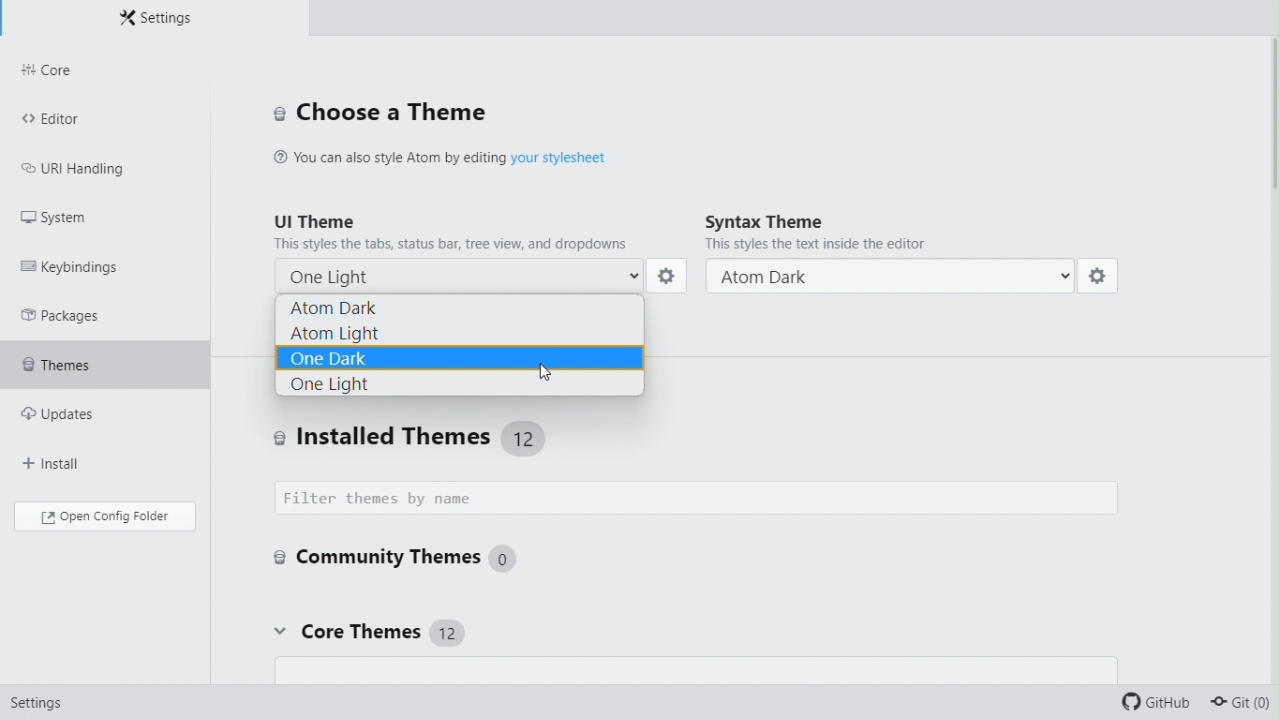  What do you see at coordinates (551, 367) in the screenshot?
I see `cursor` at bounding box center [551, 367].